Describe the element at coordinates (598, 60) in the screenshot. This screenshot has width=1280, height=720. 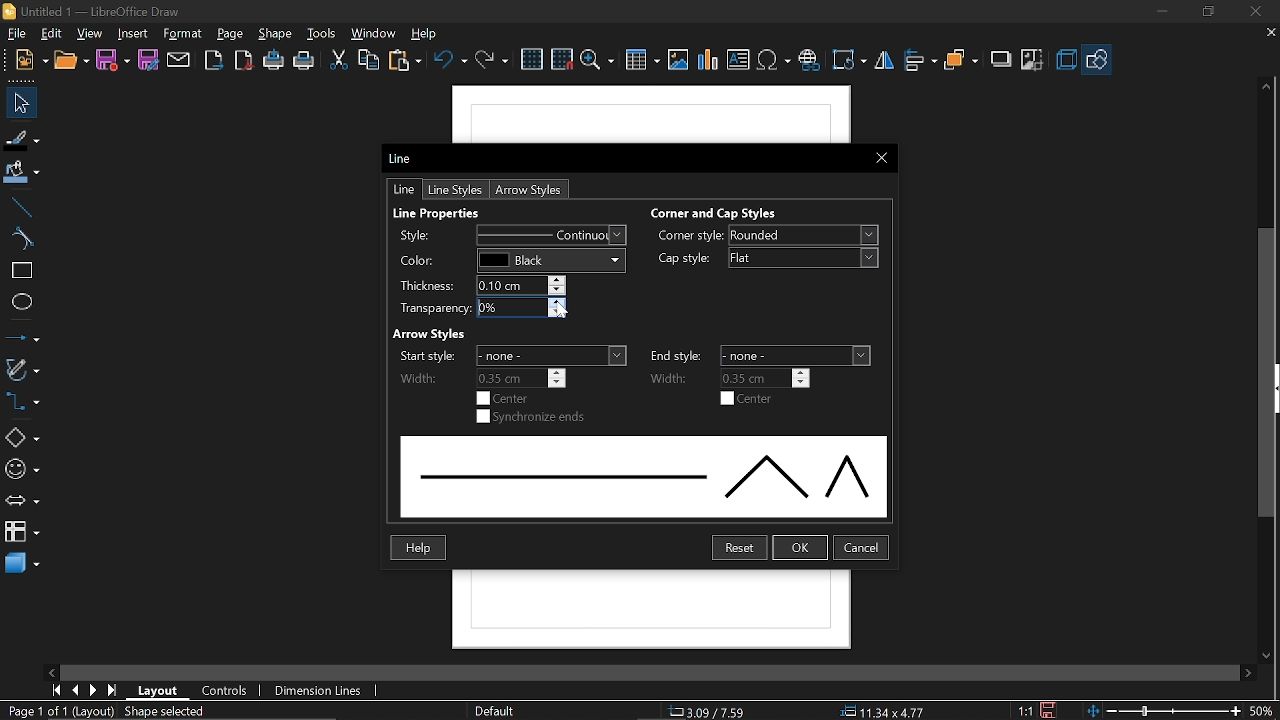
I see `zoom` at that location.